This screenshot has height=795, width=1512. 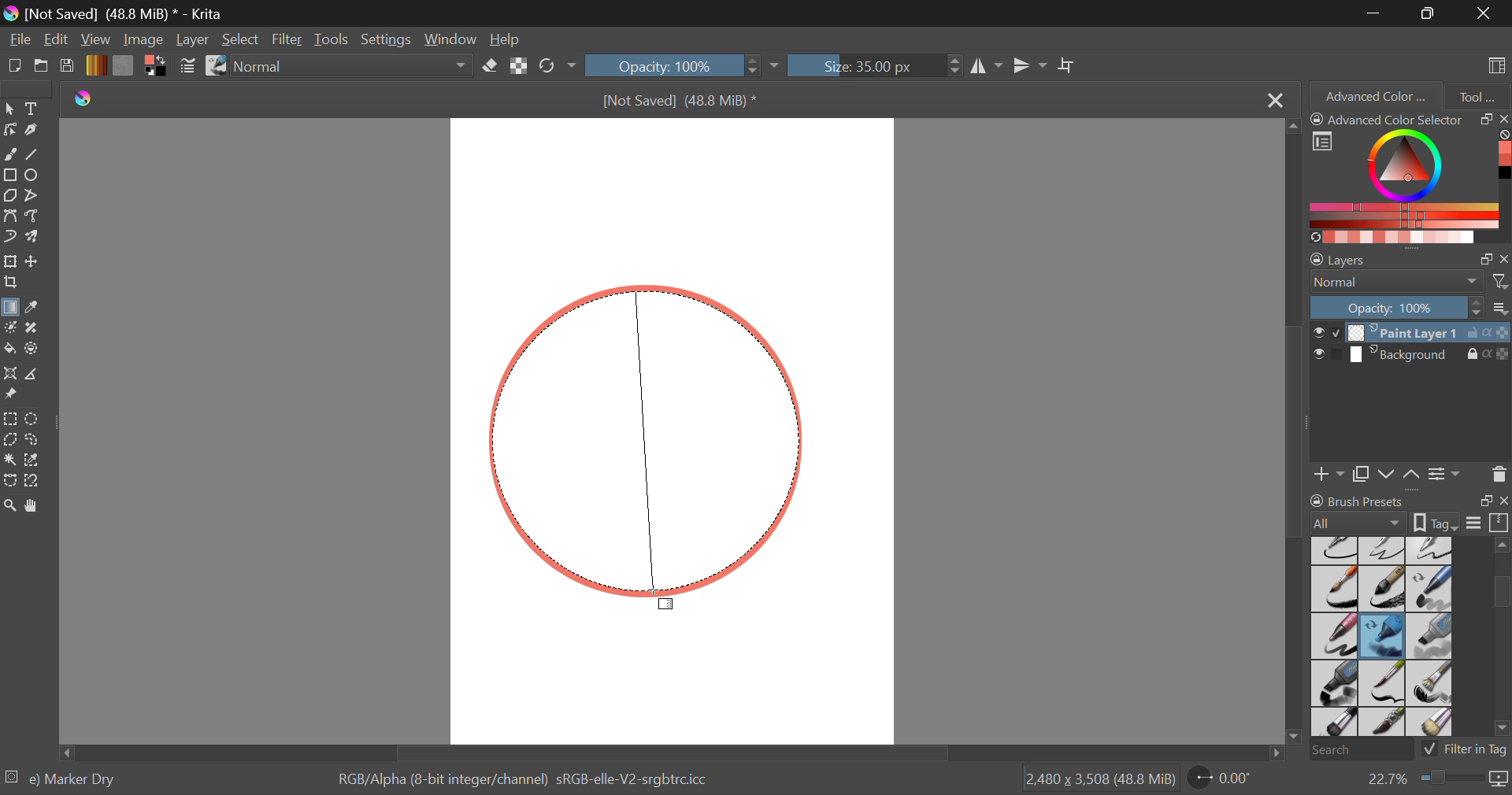 I want to click on Polygon Tool, so click(x=9, y=196).